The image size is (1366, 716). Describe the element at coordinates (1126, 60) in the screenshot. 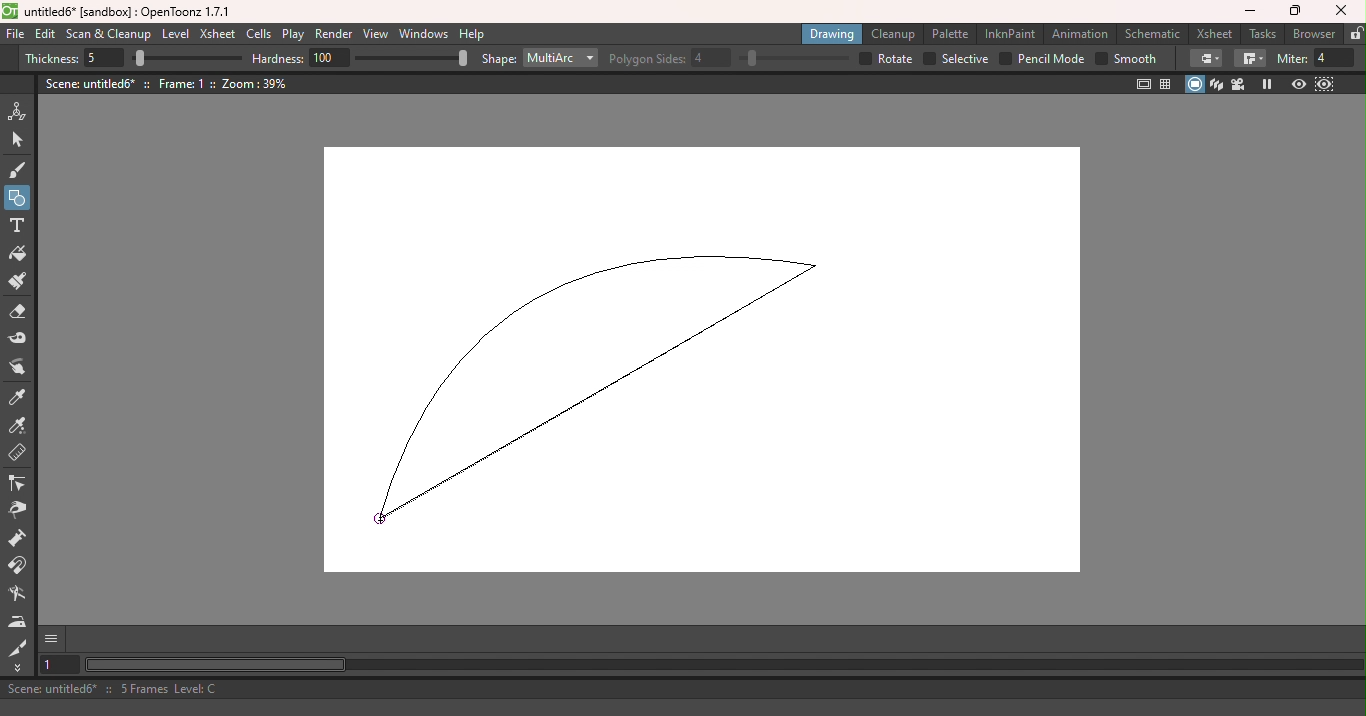

I see `Smooth` at that location.